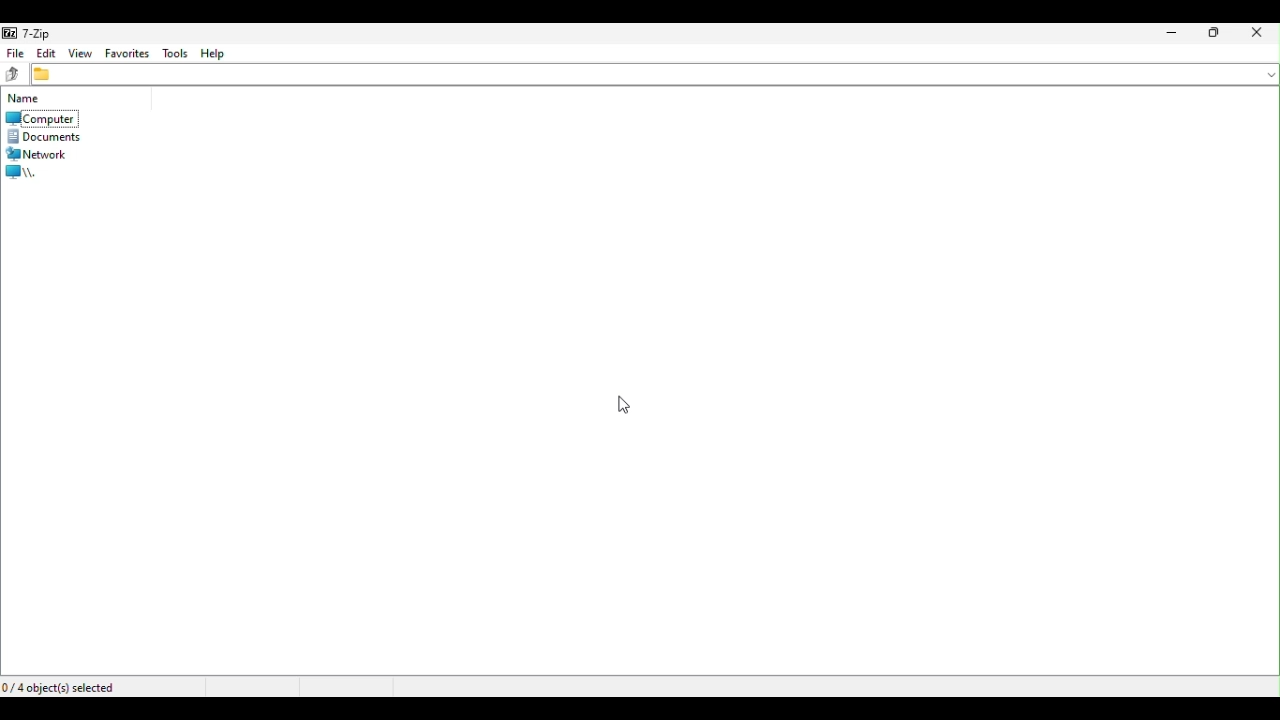 Image resolution: width=1280 pixels, height=720 pixels. What do you see at coordinates (25, 171) in the screenshot?
I see `root` at bounding box center [25, 171].